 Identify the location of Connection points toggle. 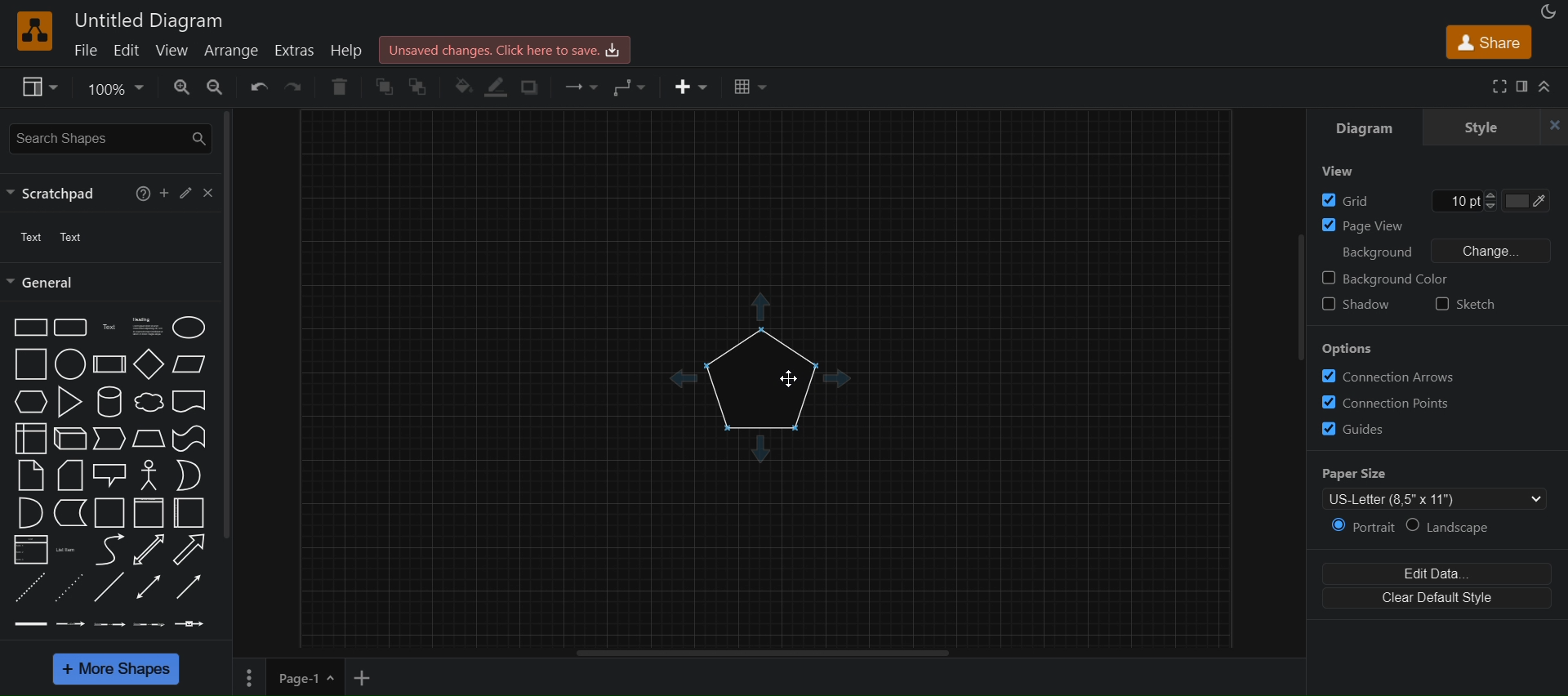
(1385, 403).